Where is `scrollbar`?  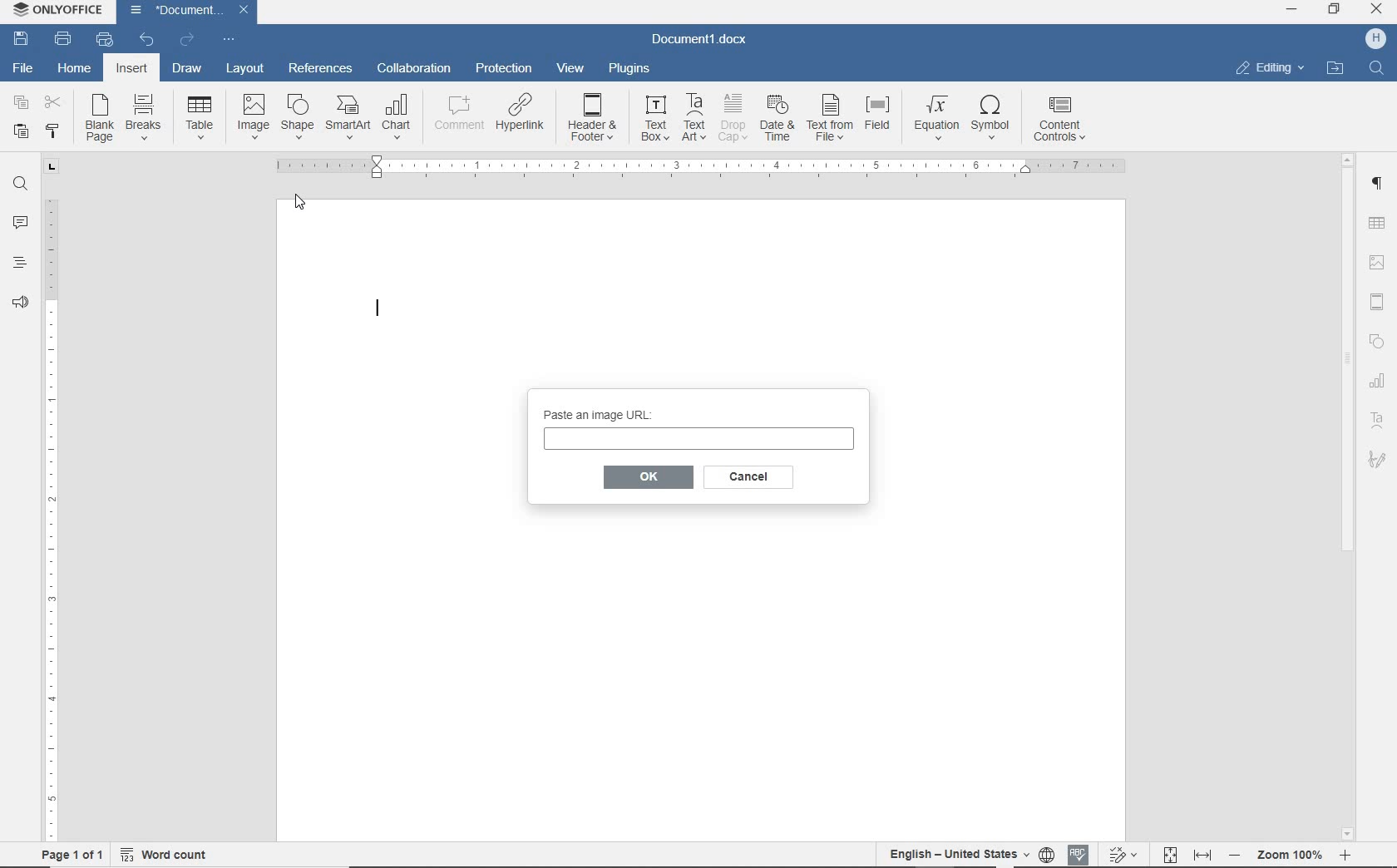 scrollbar is located at coordinates (1346, 497).